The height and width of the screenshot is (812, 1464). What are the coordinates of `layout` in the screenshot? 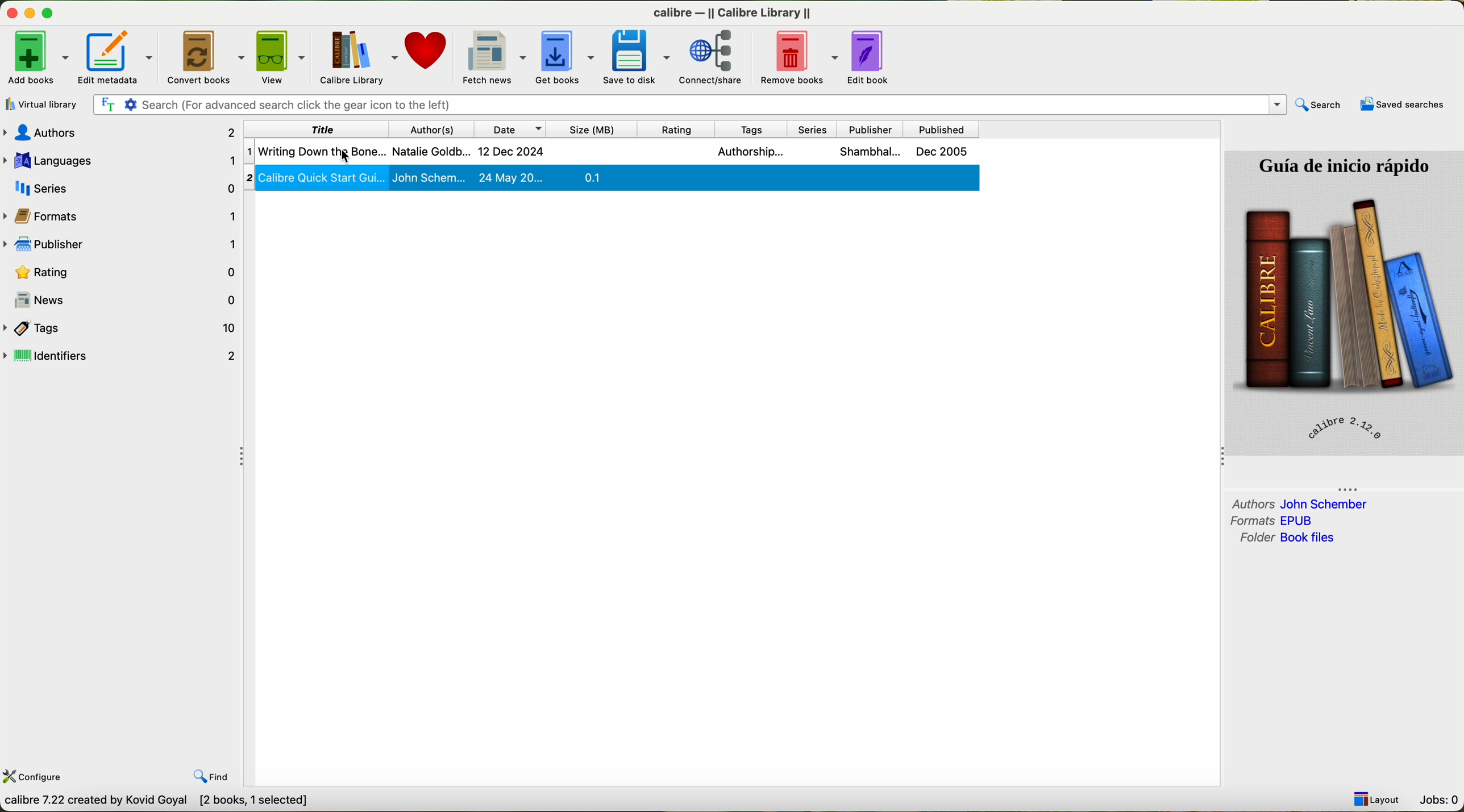 It's located at (1377, 798).